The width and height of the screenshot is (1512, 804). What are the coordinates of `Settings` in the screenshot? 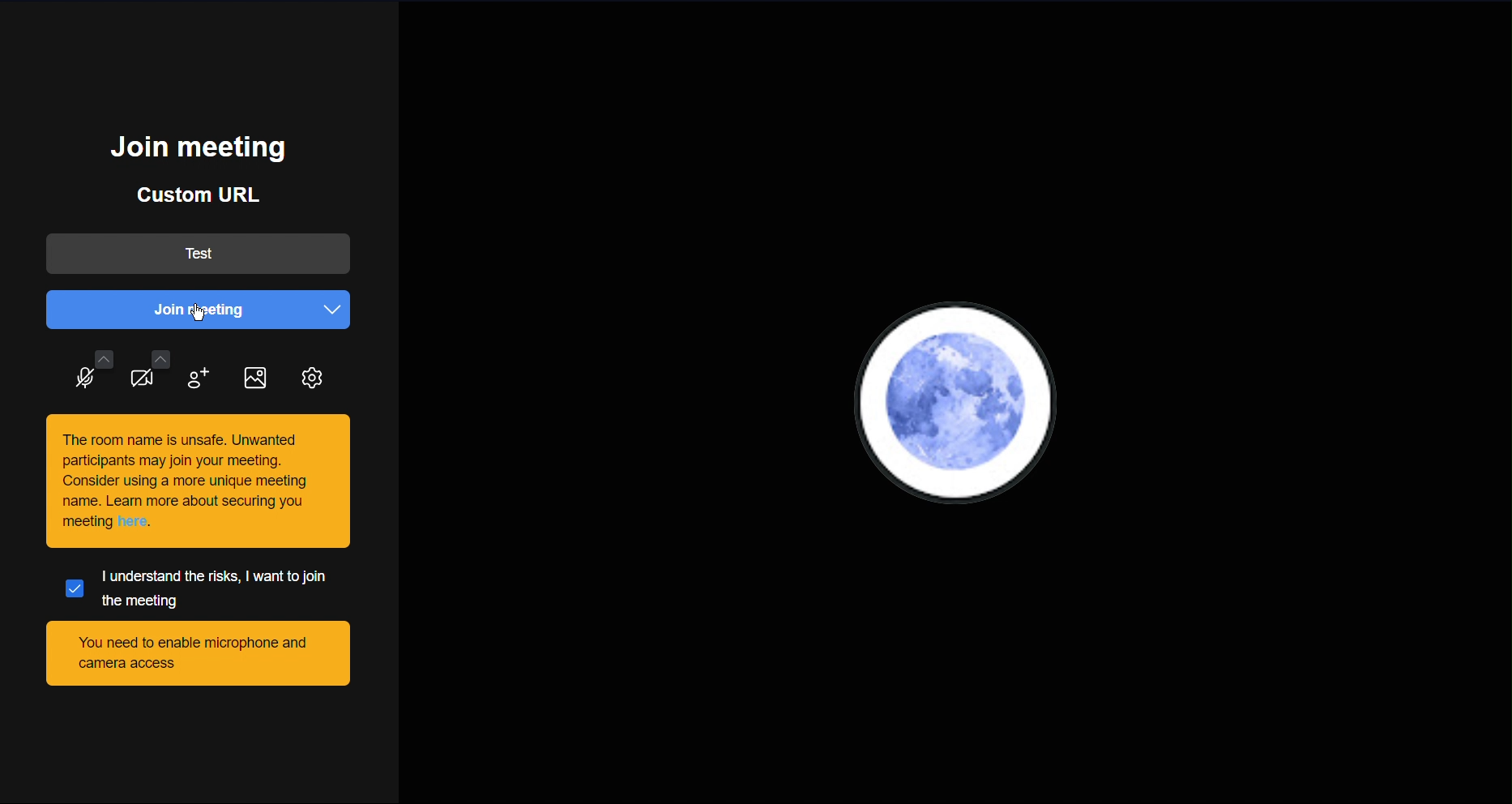 It's located at (312, 371).